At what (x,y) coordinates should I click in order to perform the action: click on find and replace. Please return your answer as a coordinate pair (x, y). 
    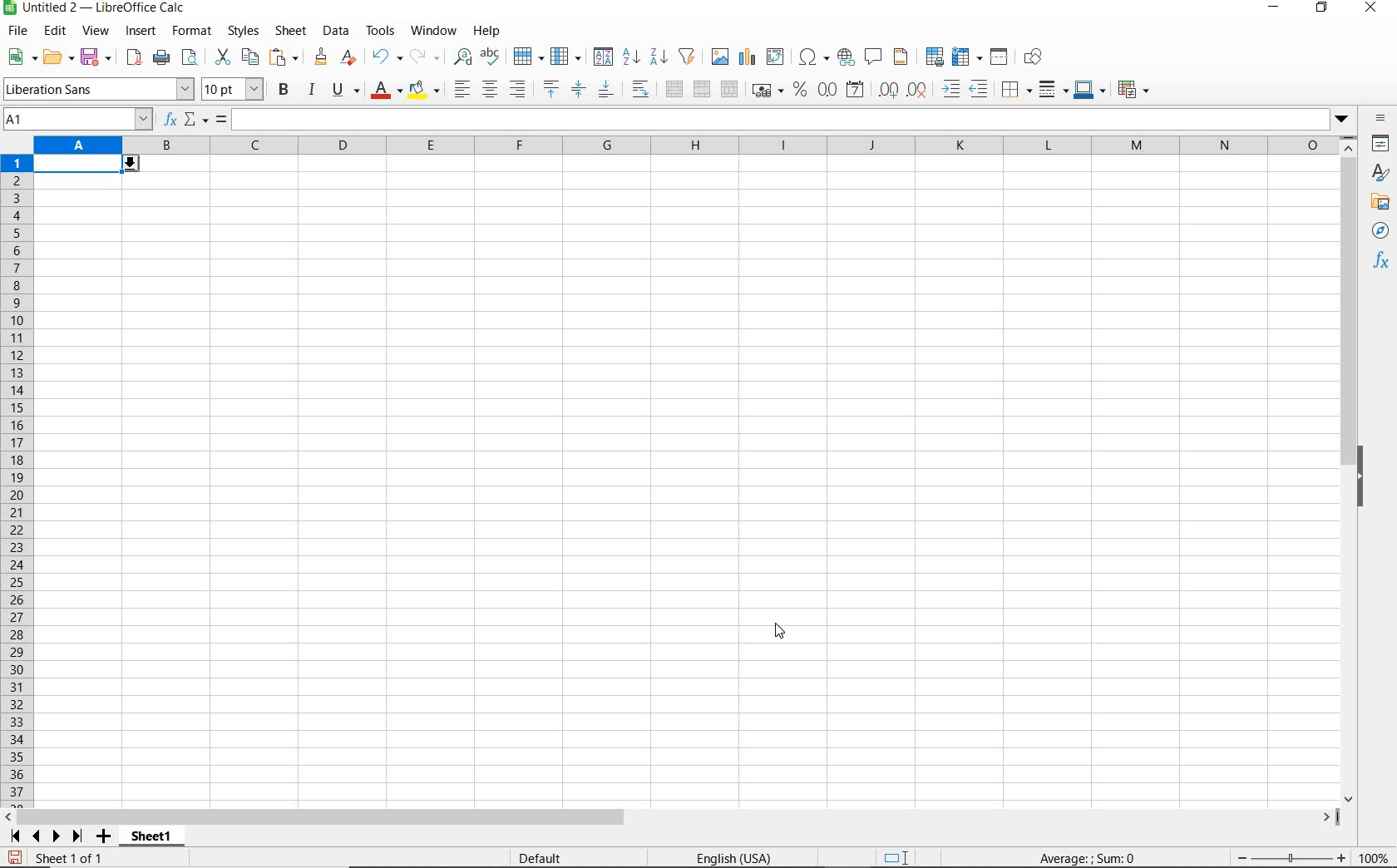
    Looking at the image, I should click on (462, 57).